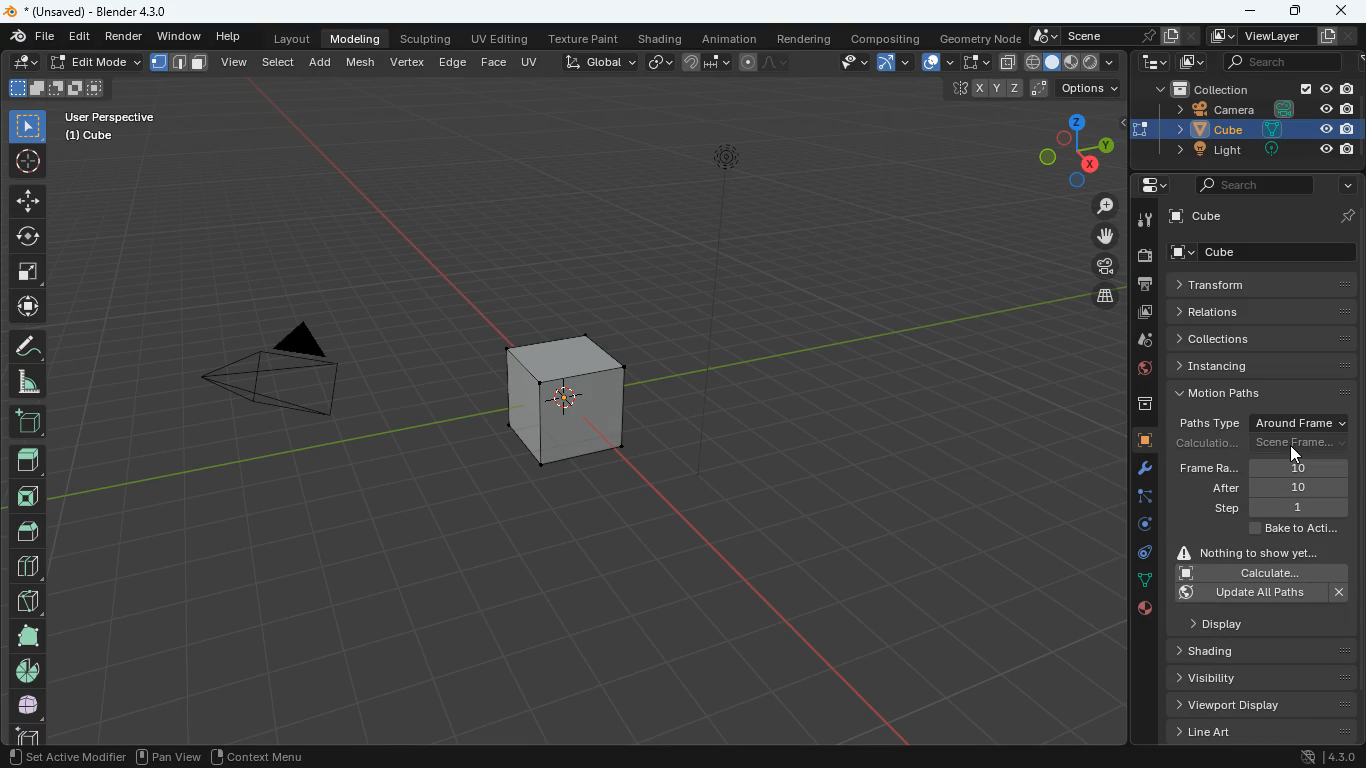  Describe the element at coordinates (733, 39) in the screenshot. I see `animation` at that location.